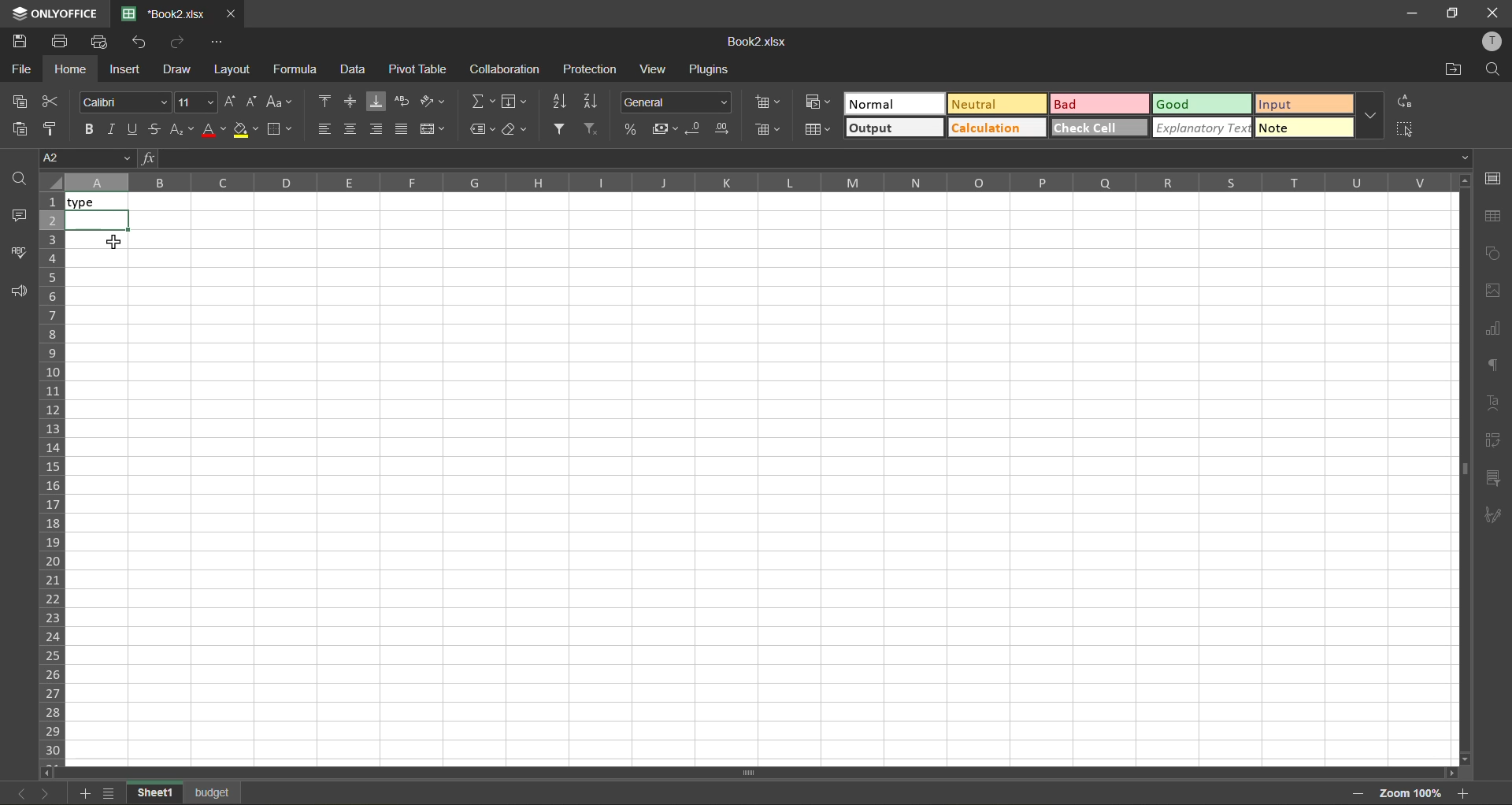 The height and width of the screenshot is (805, 1512). I want to click on collaboration, so click(505, 69).